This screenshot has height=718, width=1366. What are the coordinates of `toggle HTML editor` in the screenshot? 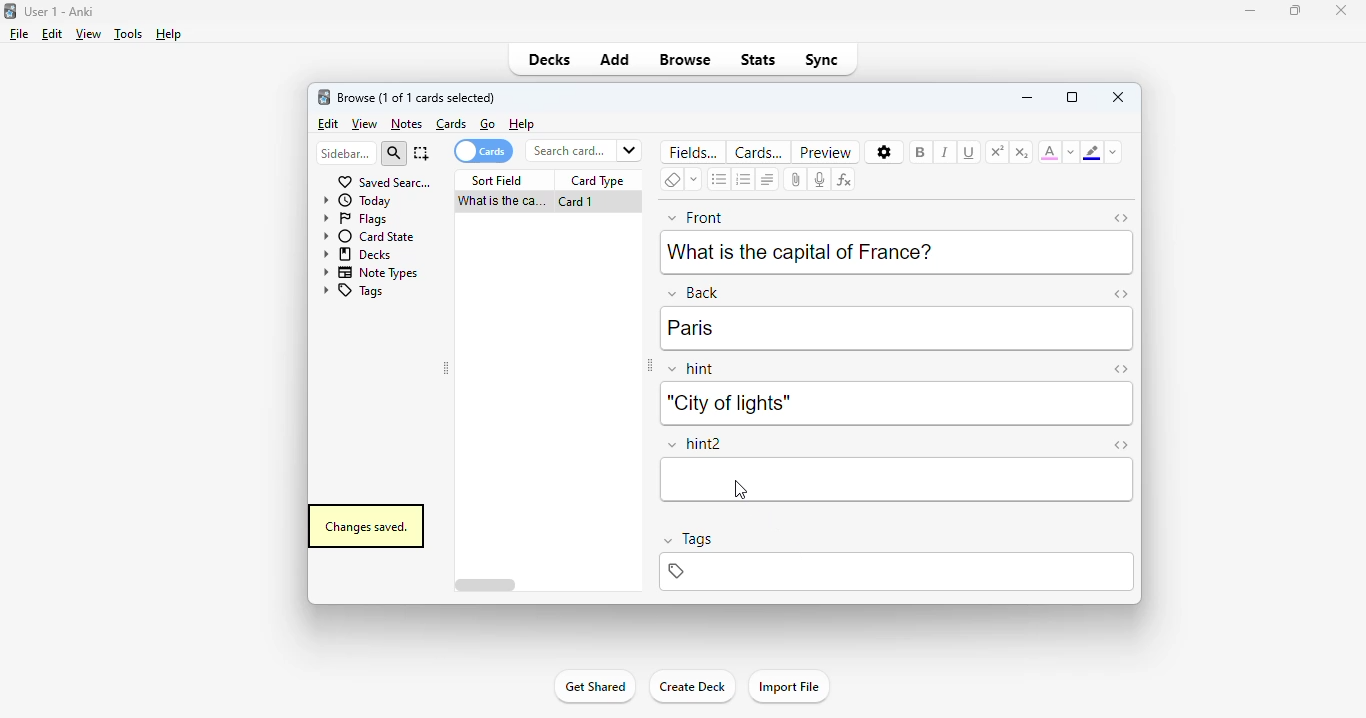 It's located at (1122, 218).